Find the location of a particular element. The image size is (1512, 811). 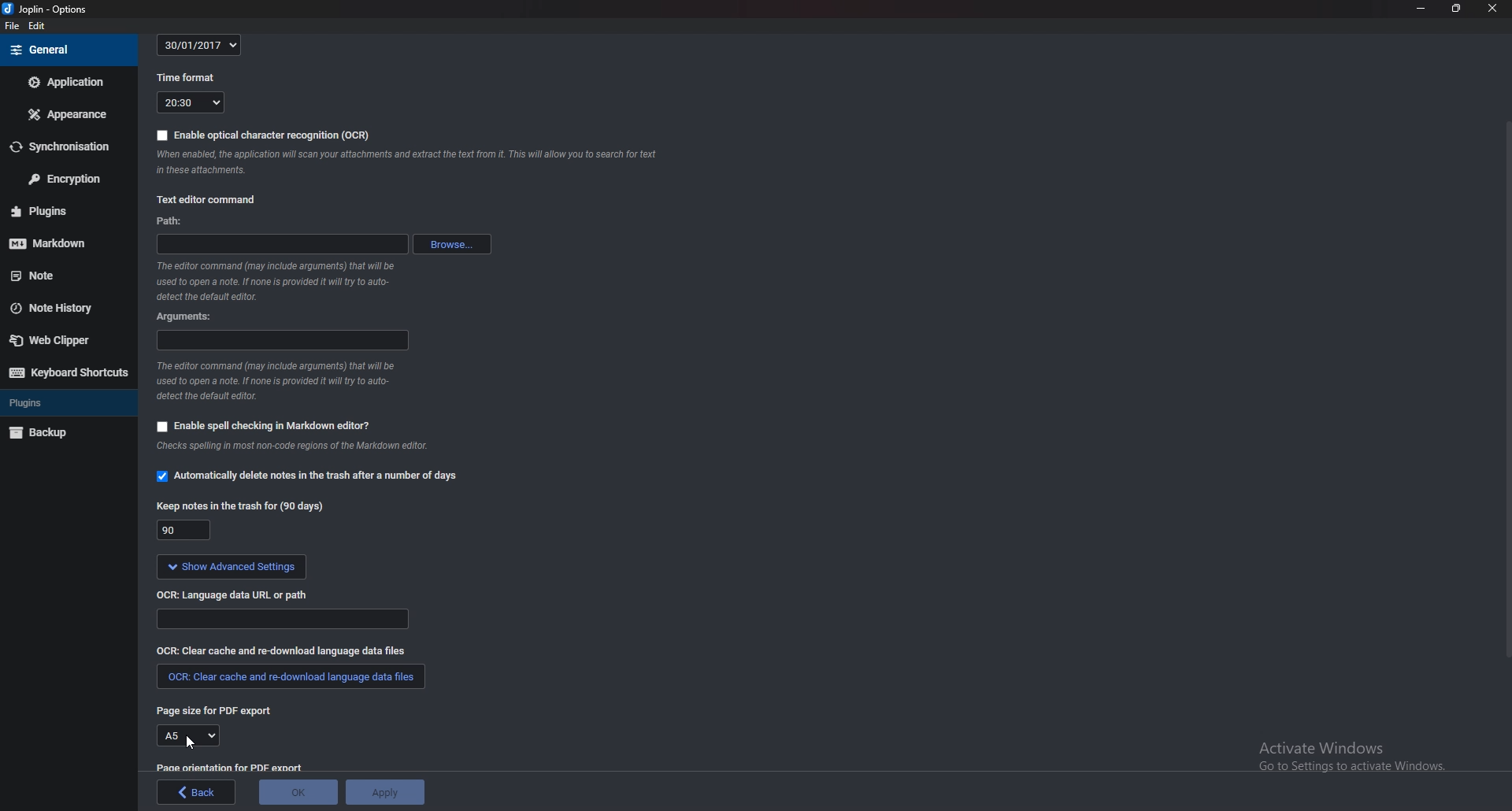

Edit is located at coordinates (38, 26).